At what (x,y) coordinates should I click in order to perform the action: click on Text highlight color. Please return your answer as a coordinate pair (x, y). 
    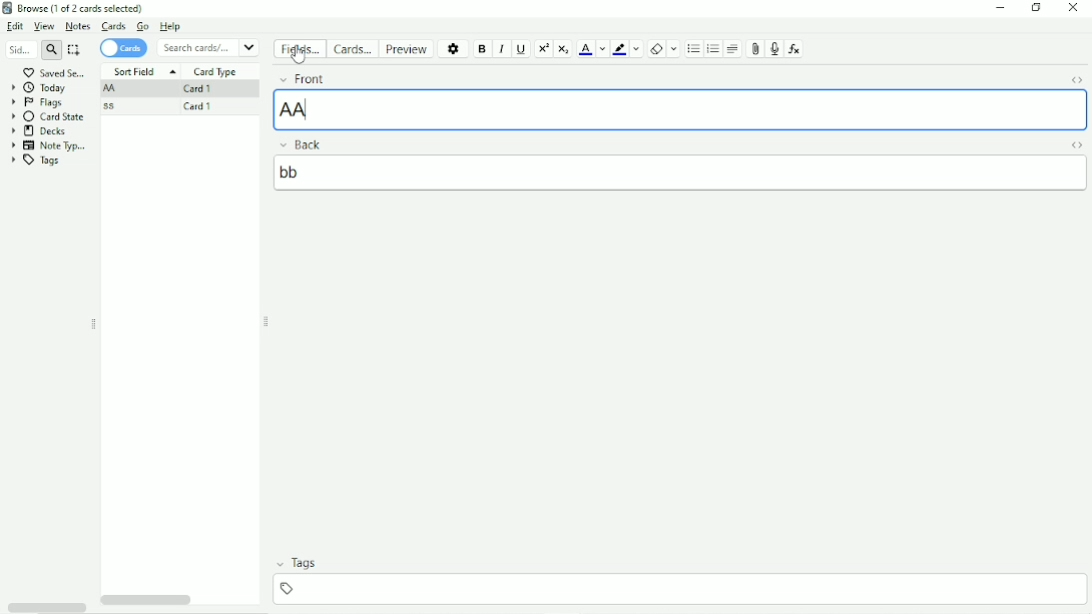
    Looking at the image, I should click on (619, 49).